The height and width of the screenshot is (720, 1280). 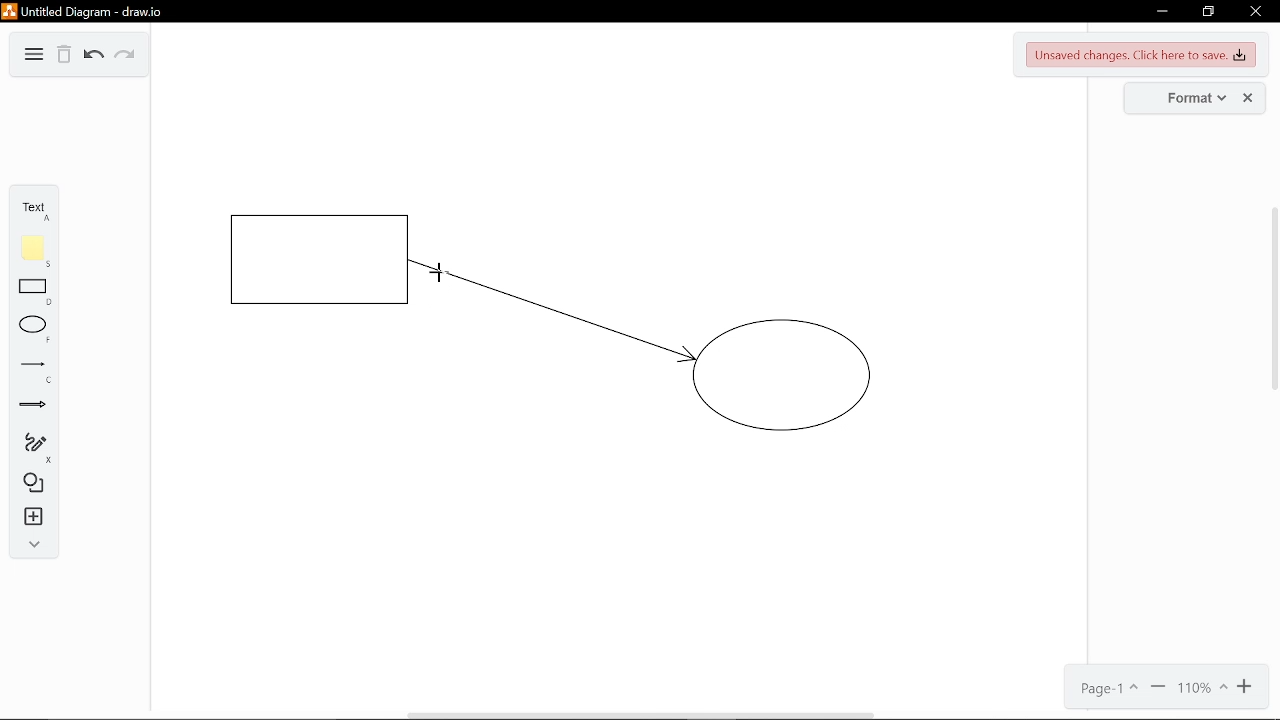 I want to click on Text, so click(x=32, y=208).